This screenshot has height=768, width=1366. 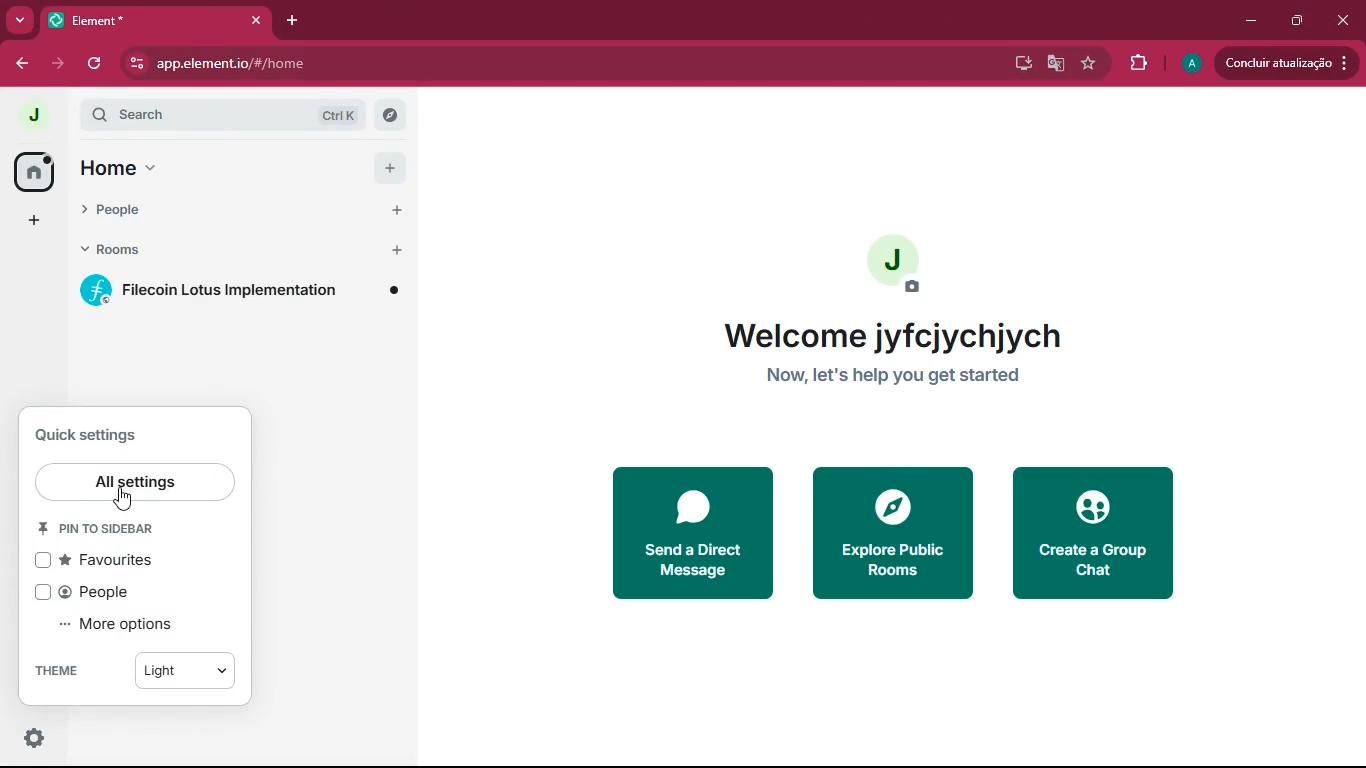 I want to click on Light, so click(x=182, y=671).